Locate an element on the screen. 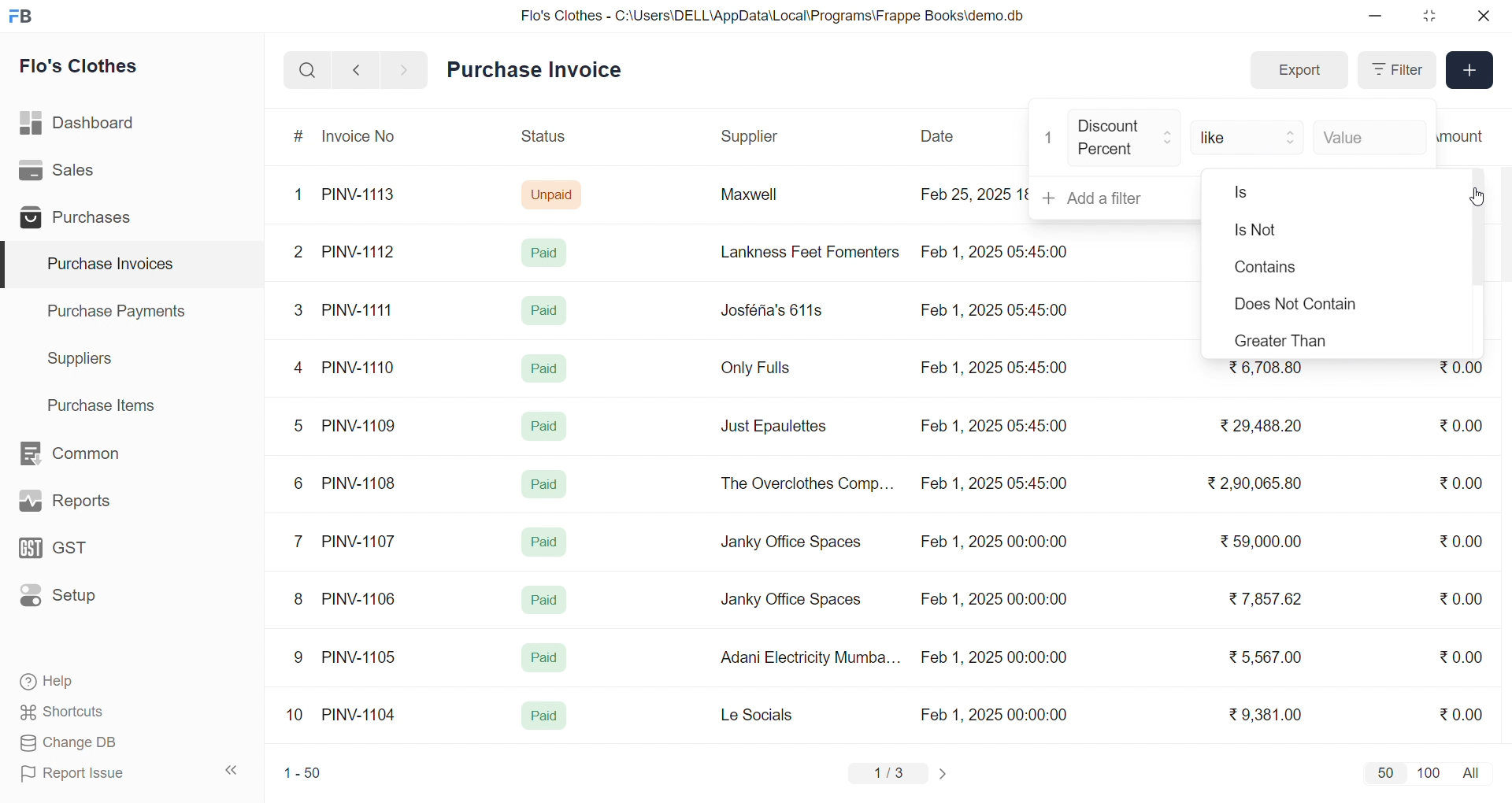 This screenshot has height=803, width=1512. Only Fulls is located at coordinates (762, 372).